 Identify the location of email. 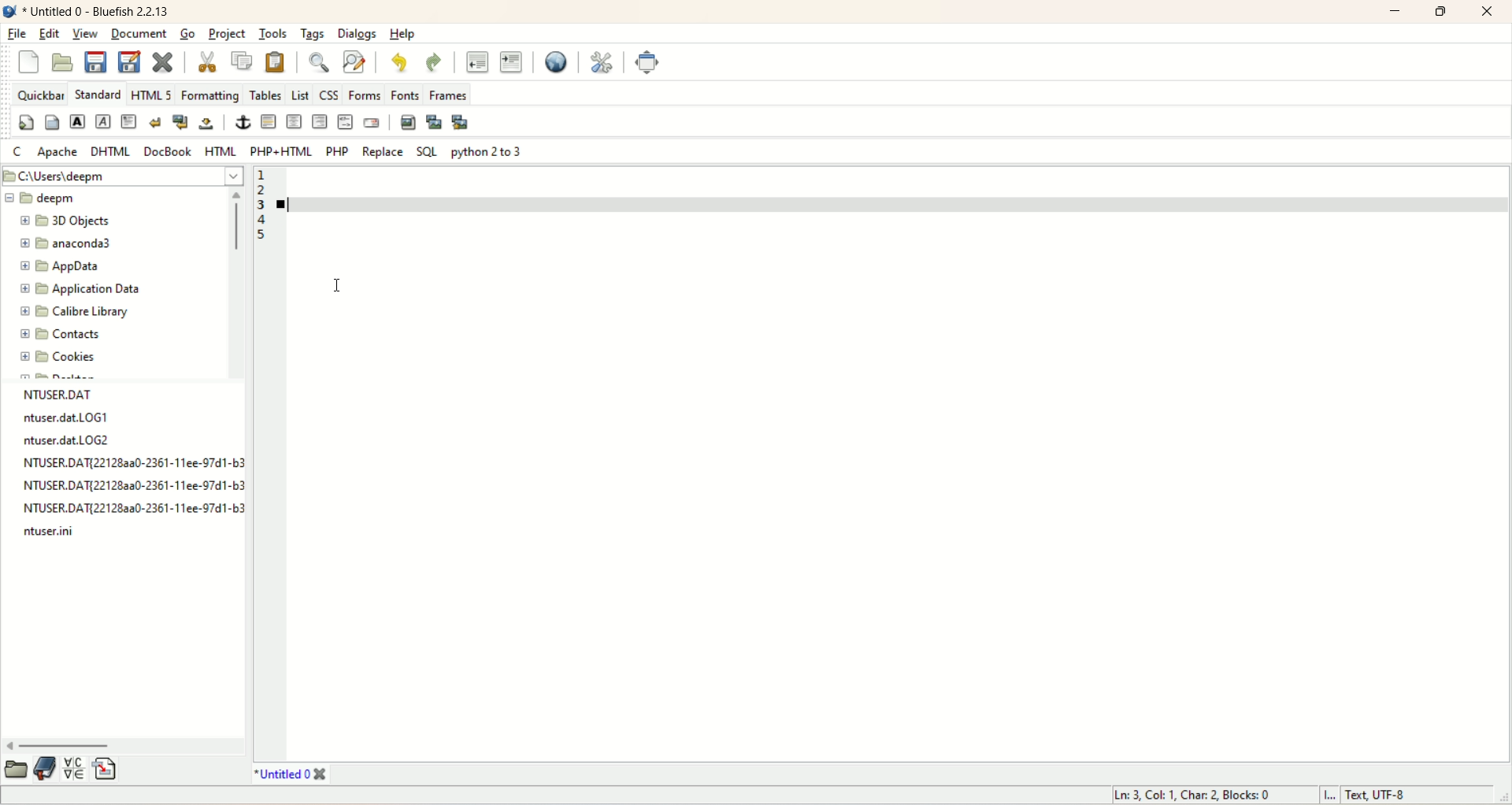
(370, 123).